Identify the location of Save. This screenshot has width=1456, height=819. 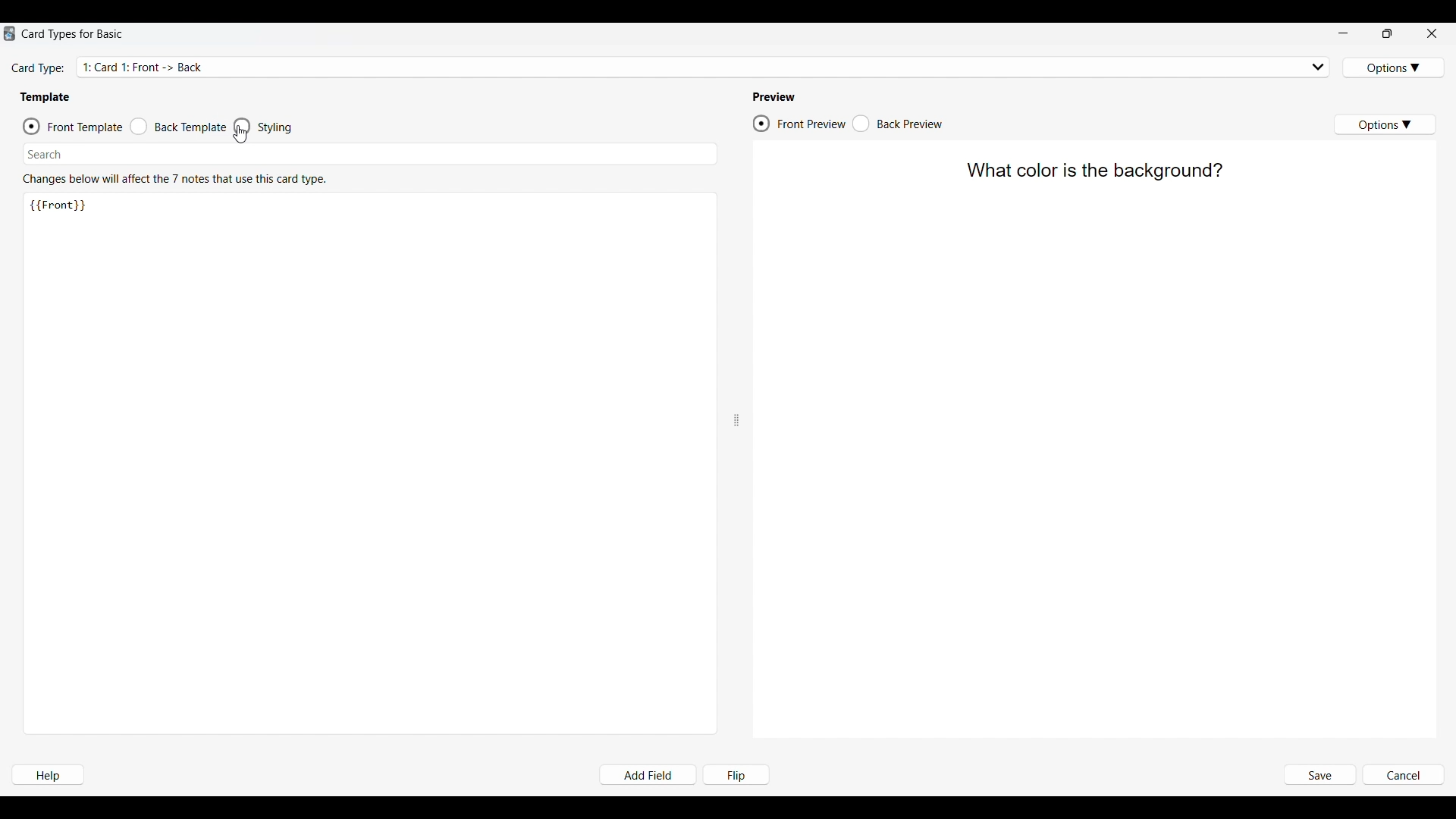
(1319, 776).